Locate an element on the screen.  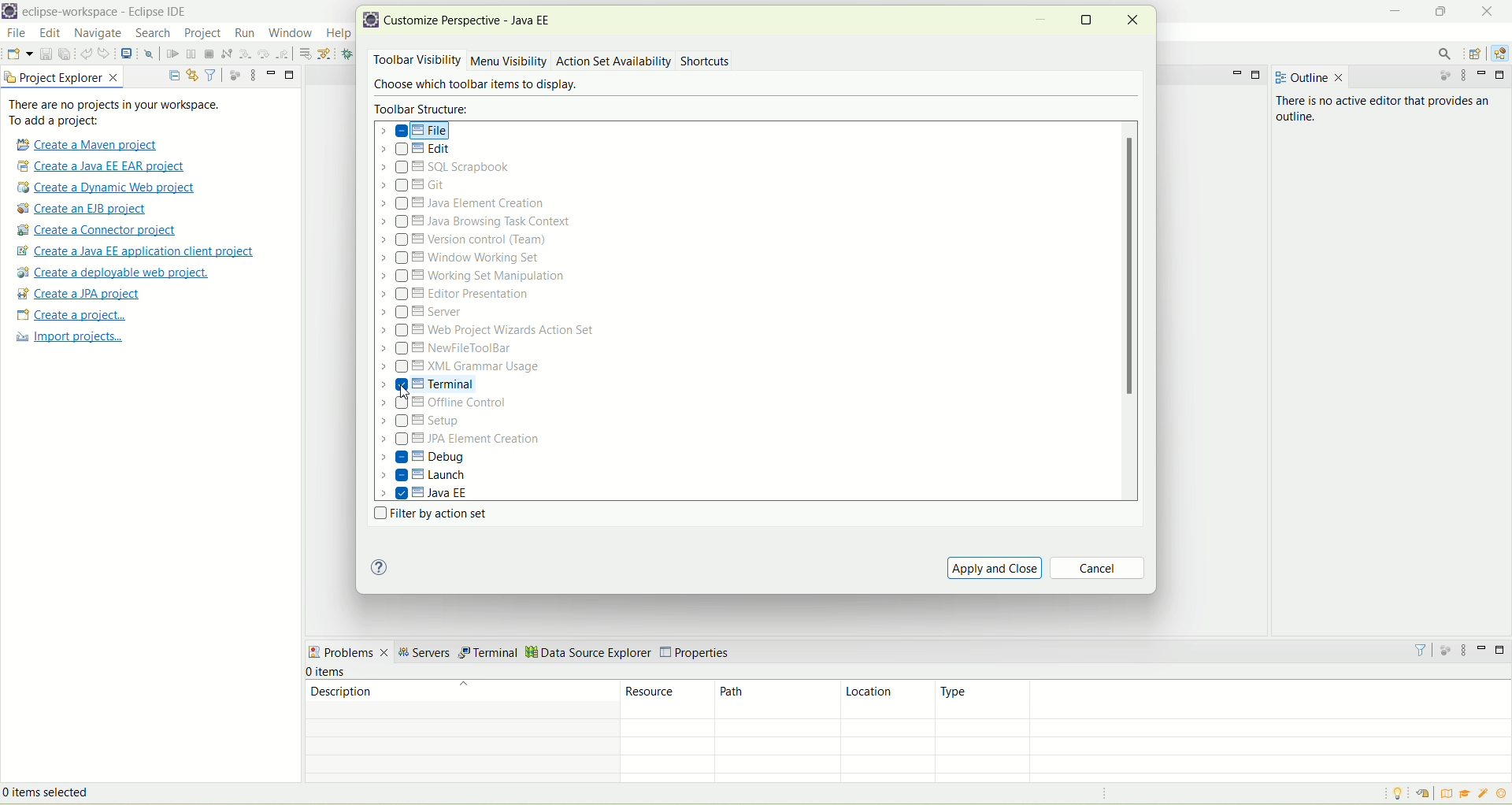
view menu is located at coordinates (253, 74).